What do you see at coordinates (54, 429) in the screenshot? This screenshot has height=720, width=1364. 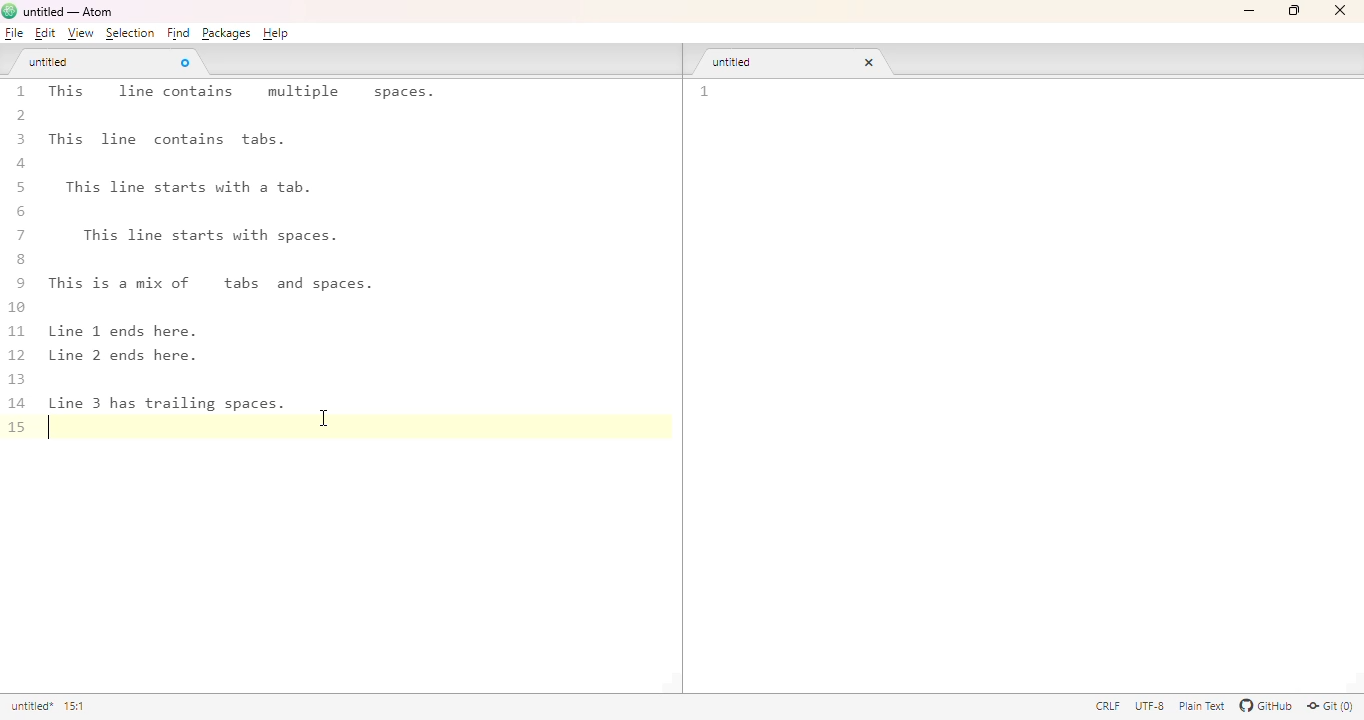 I see `text cursor` at bounding box center [54, 429].